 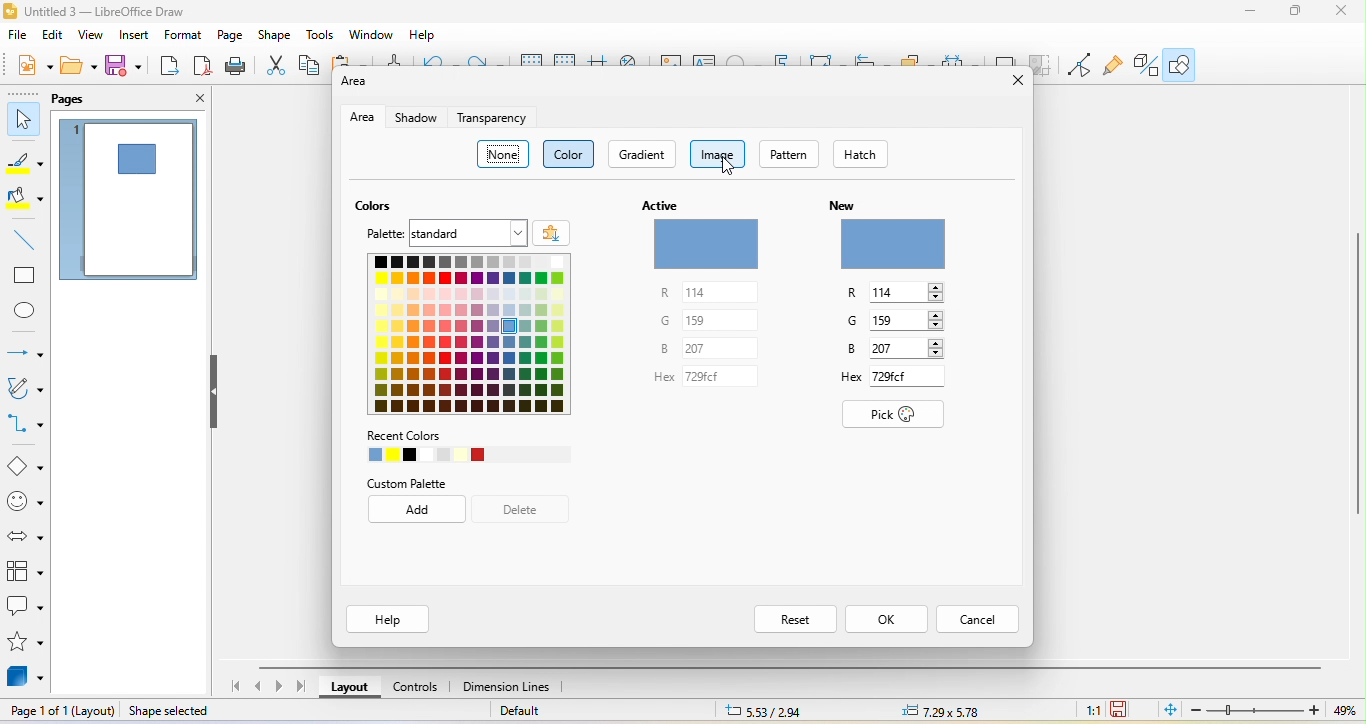 What do you see at coordinates (672, 62) in the screenshot?
I see `image` at bounding box center [672, 62].